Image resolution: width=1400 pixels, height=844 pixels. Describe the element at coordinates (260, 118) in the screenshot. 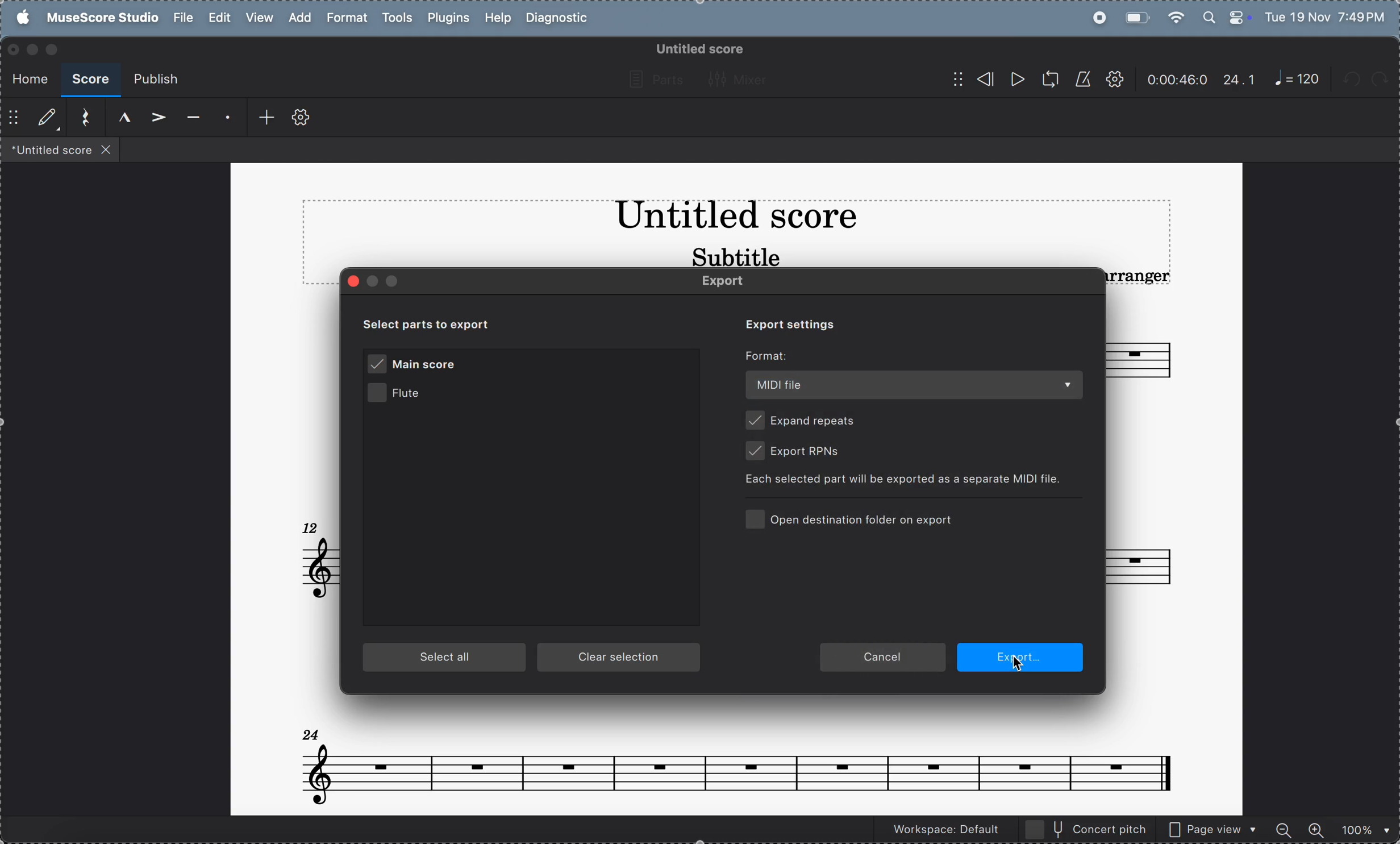

I see `add` at that location.